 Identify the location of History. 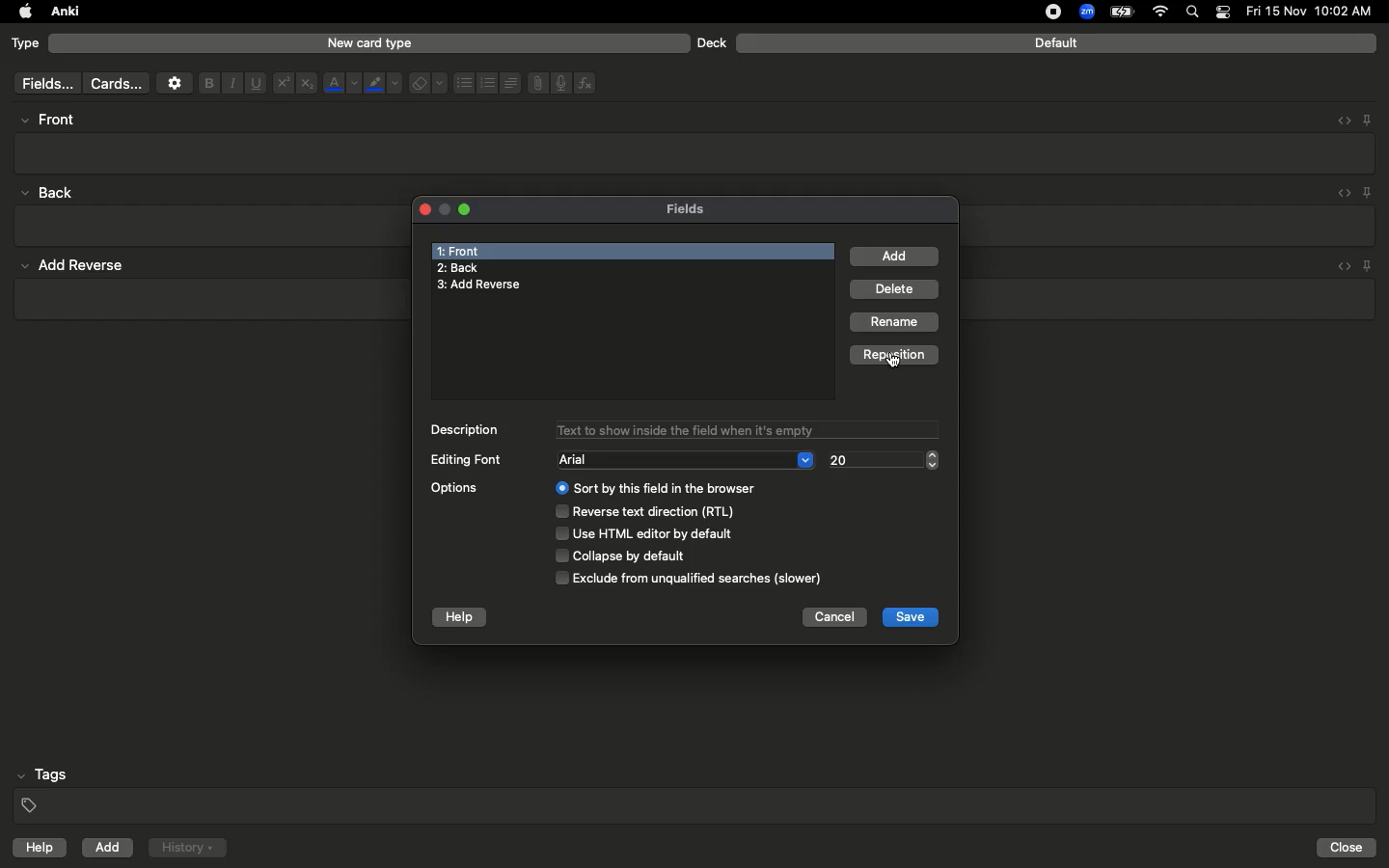
(187, 848).